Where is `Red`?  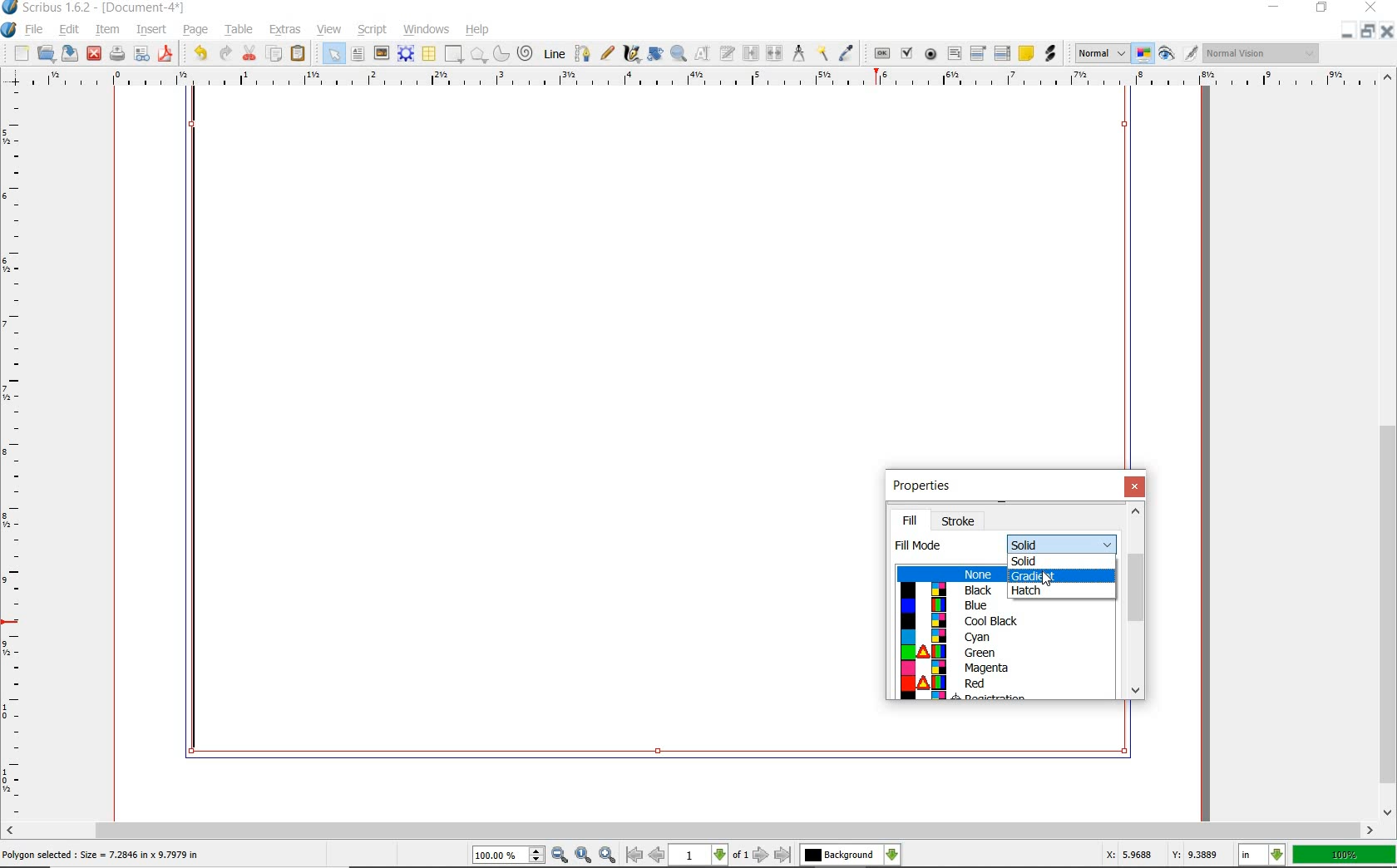
Red is located at coordinates (1007, 684).